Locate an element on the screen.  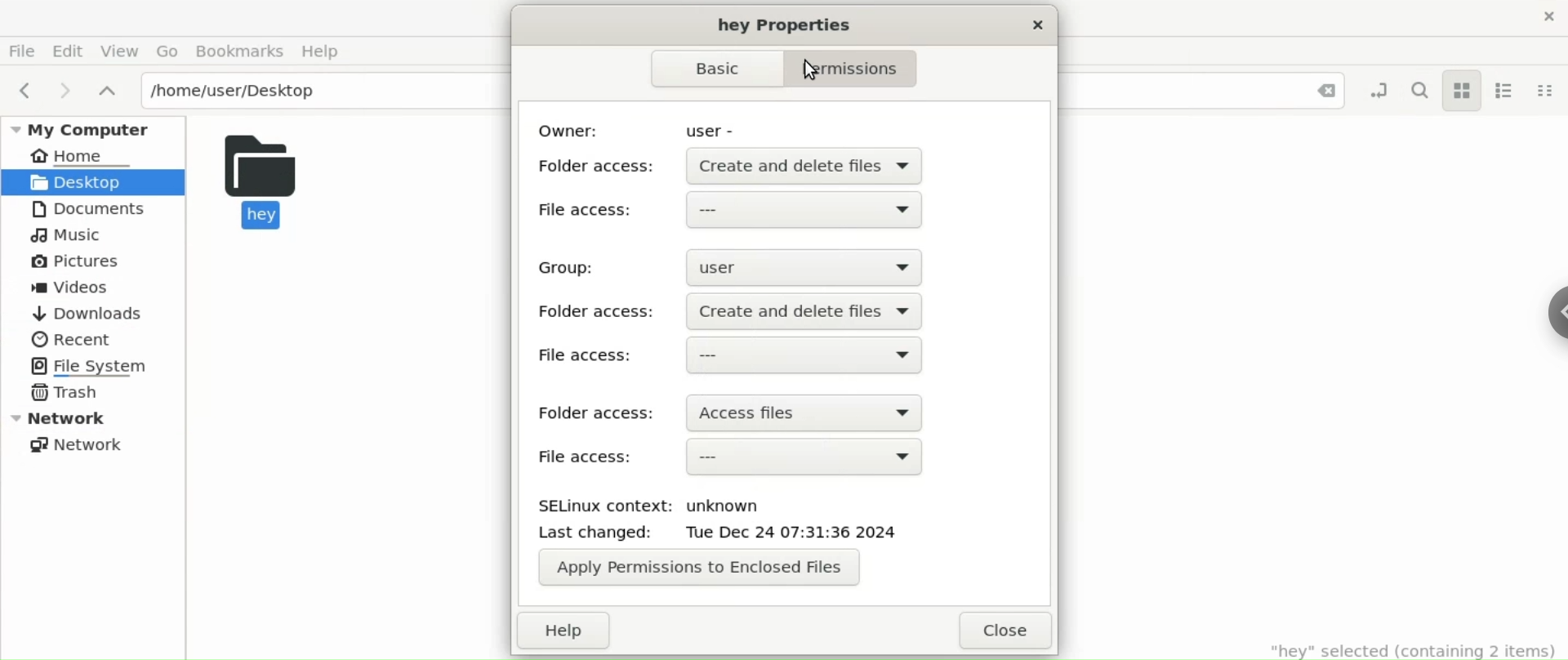
Close is located at coordinates (1036, 28).